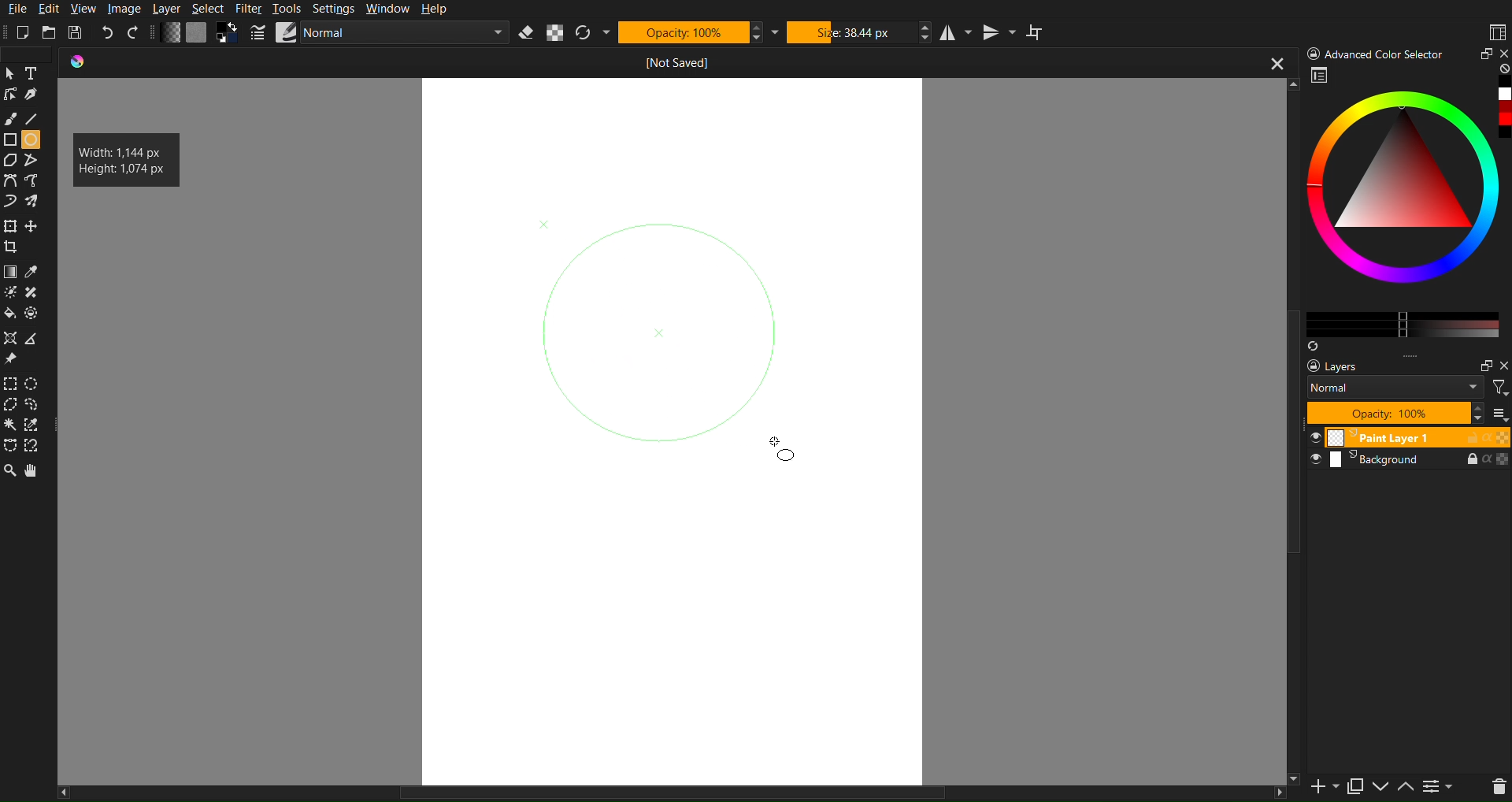  What do you see at coordinates (35, 95) in the screenshot?
I see `Pen` at bounding box center [35, 95].